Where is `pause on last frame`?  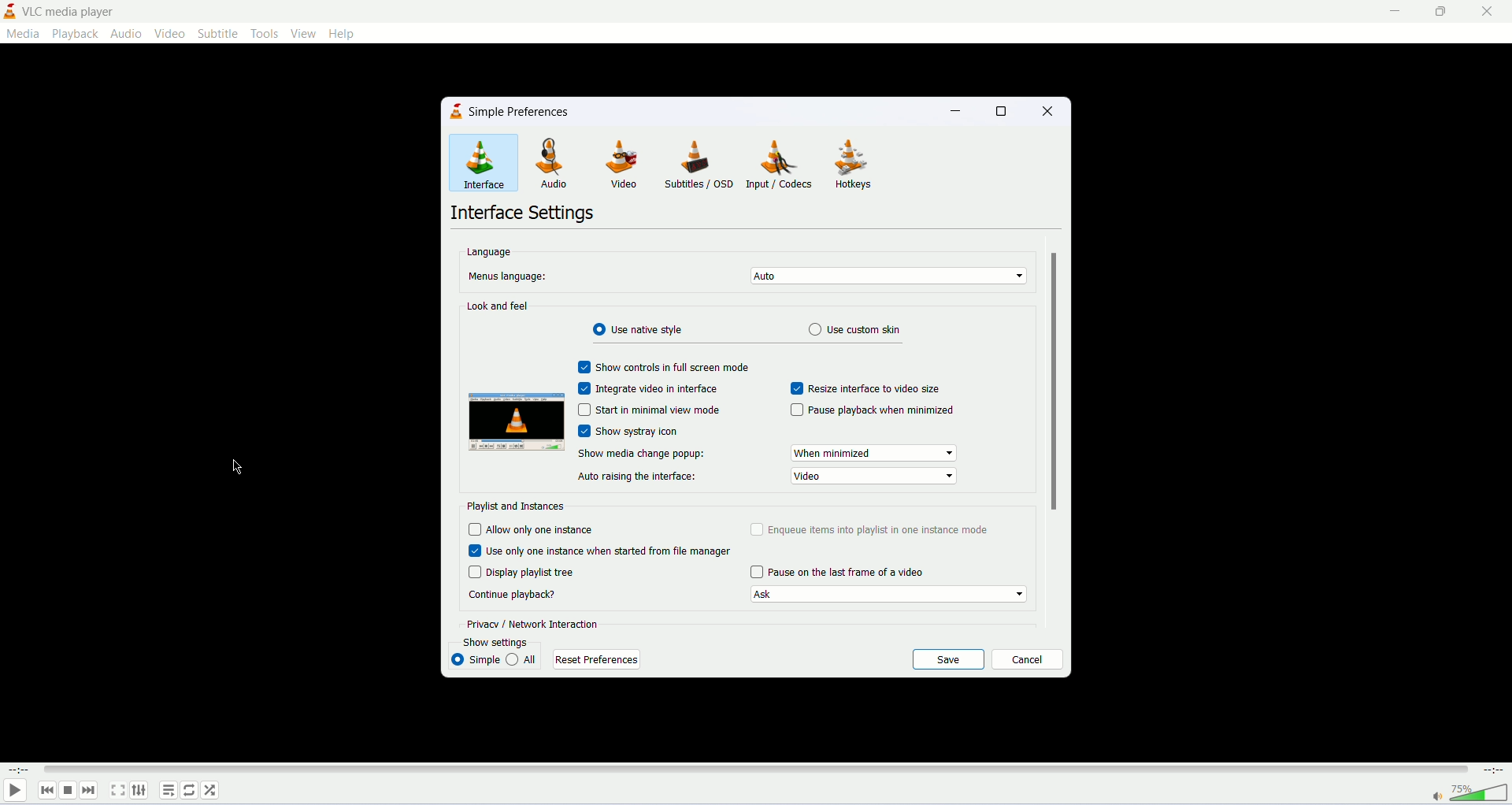 pause on last frame is located at coordinates (839, 572).